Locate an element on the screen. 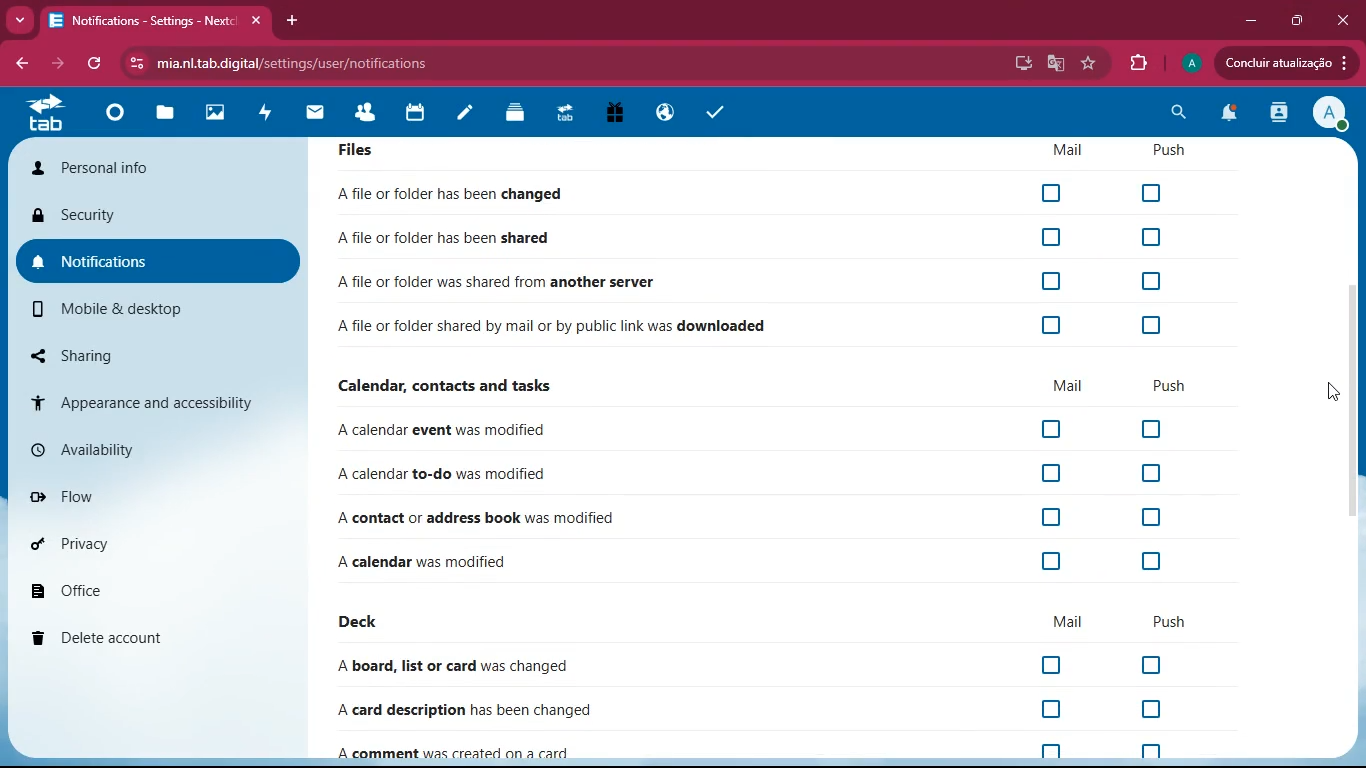 Image resolution: width=1366 pixels, height=768 pixels. add tab is located at coordinates (294, 22).